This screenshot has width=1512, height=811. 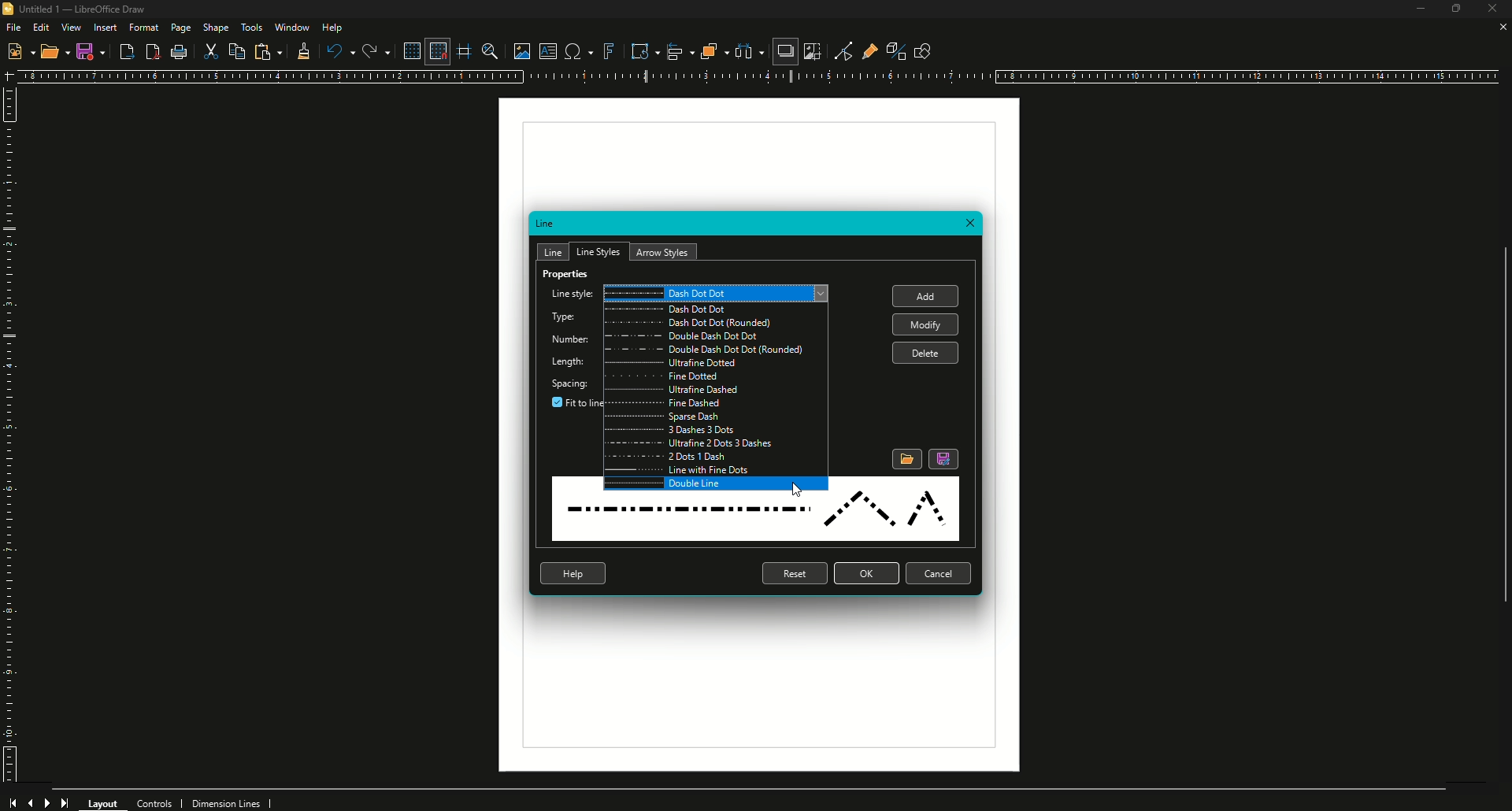 I want to click on Double Dash Dot Dot, so click(x=714, y=337).